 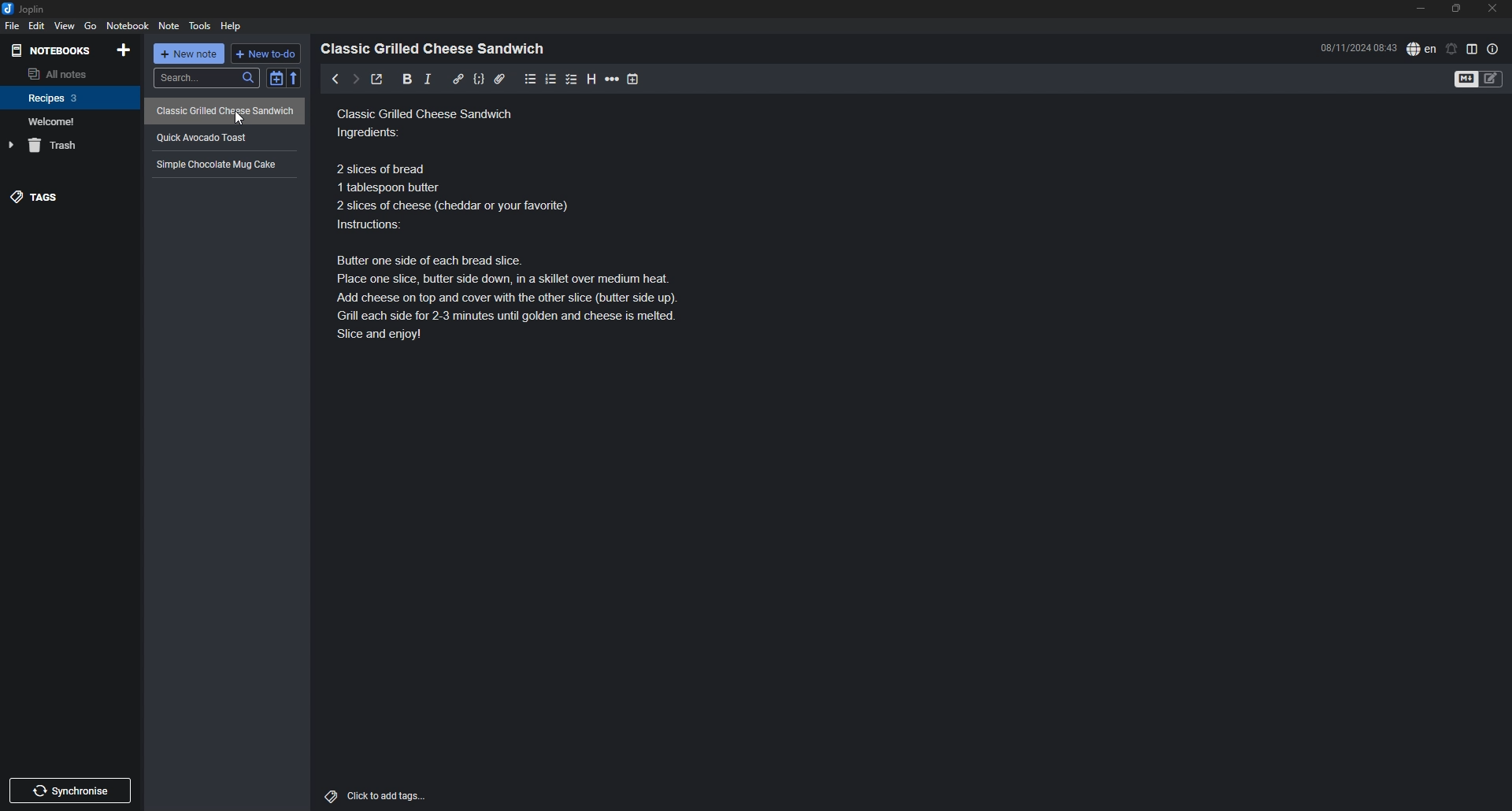 What do you see at coordinates (200, 25) in the screenshot?
I see `tools` at bounding box center [200, 25].